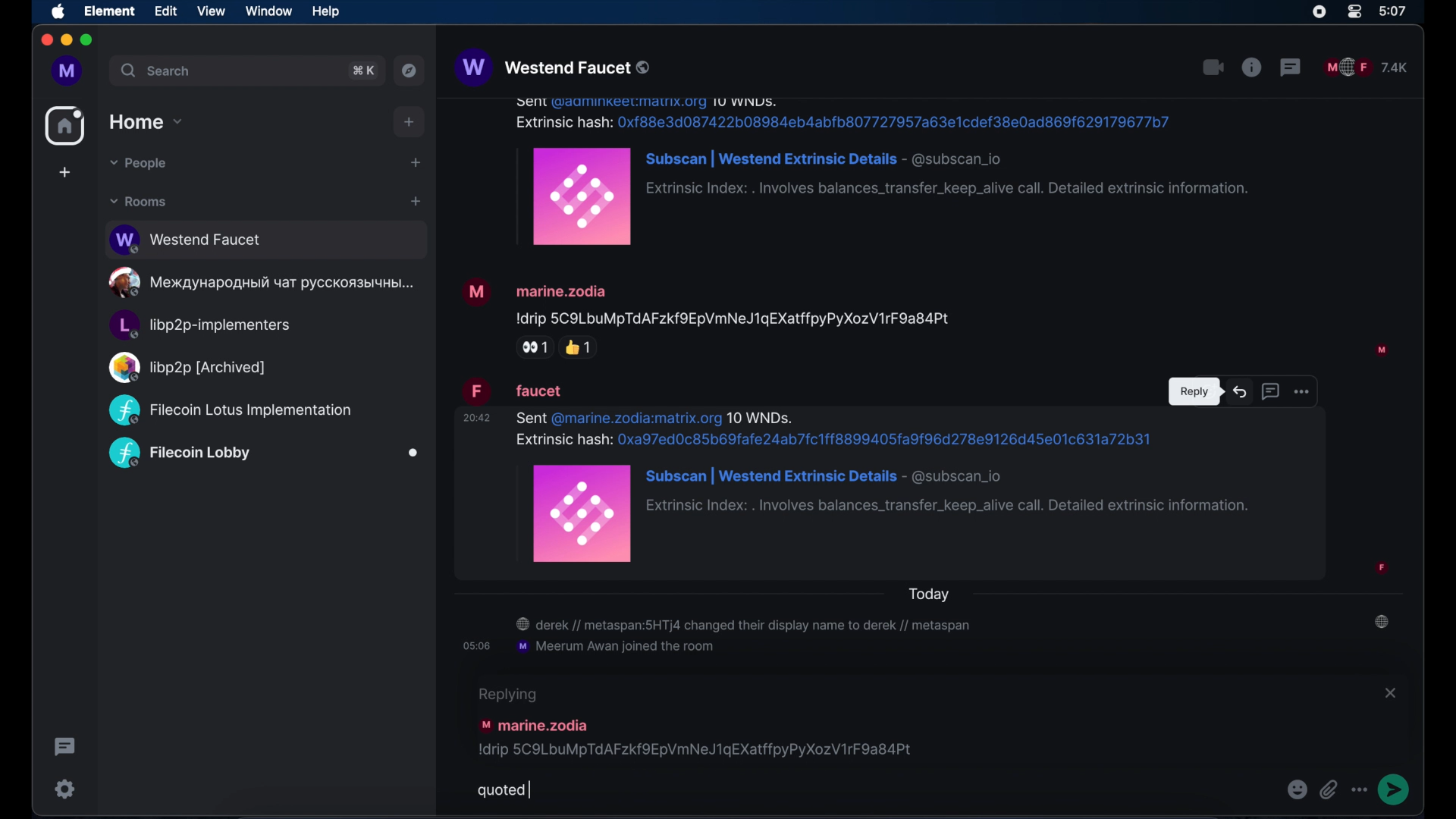 This screenshot has height=819, width=1456. Describe the element at coordinates (210, 11) in the screenshot. I see `view` at that location.